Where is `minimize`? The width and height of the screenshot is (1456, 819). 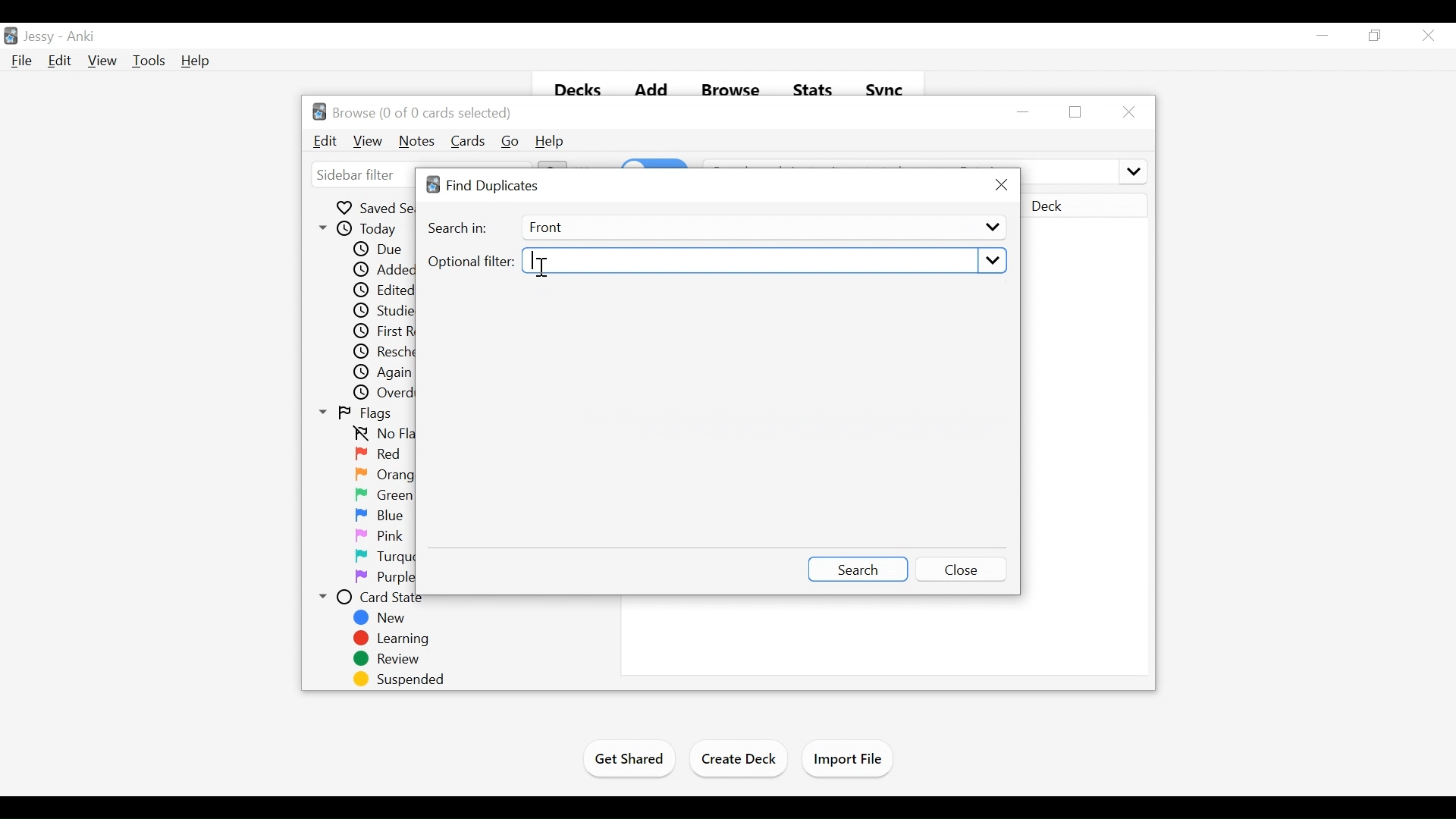 minimize is located at coordinates (1025, 111).